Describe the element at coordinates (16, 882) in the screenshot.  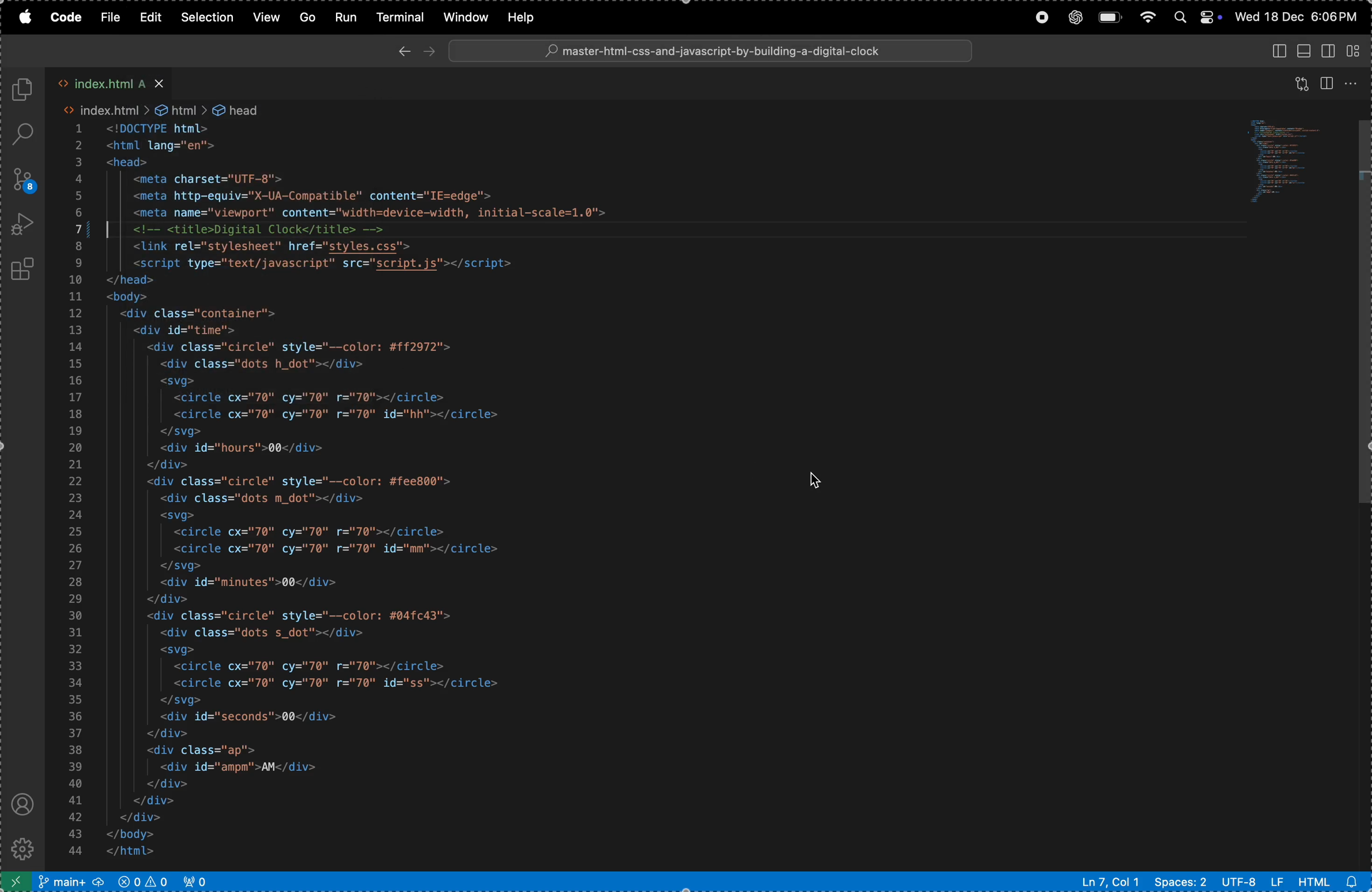
I see `open remote window` at that location.